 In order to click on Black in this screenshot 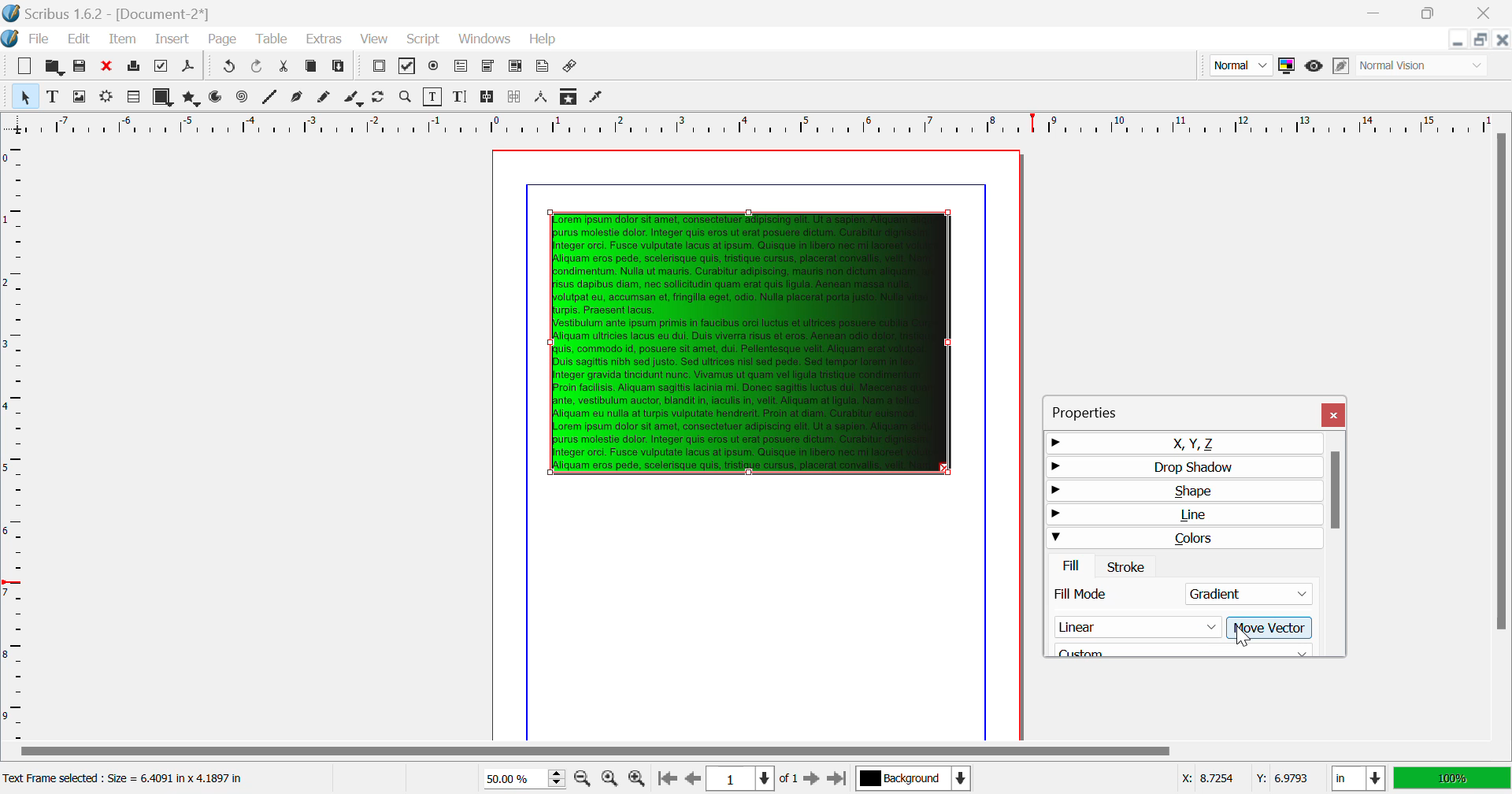, I will do `click(1184, 647)`.